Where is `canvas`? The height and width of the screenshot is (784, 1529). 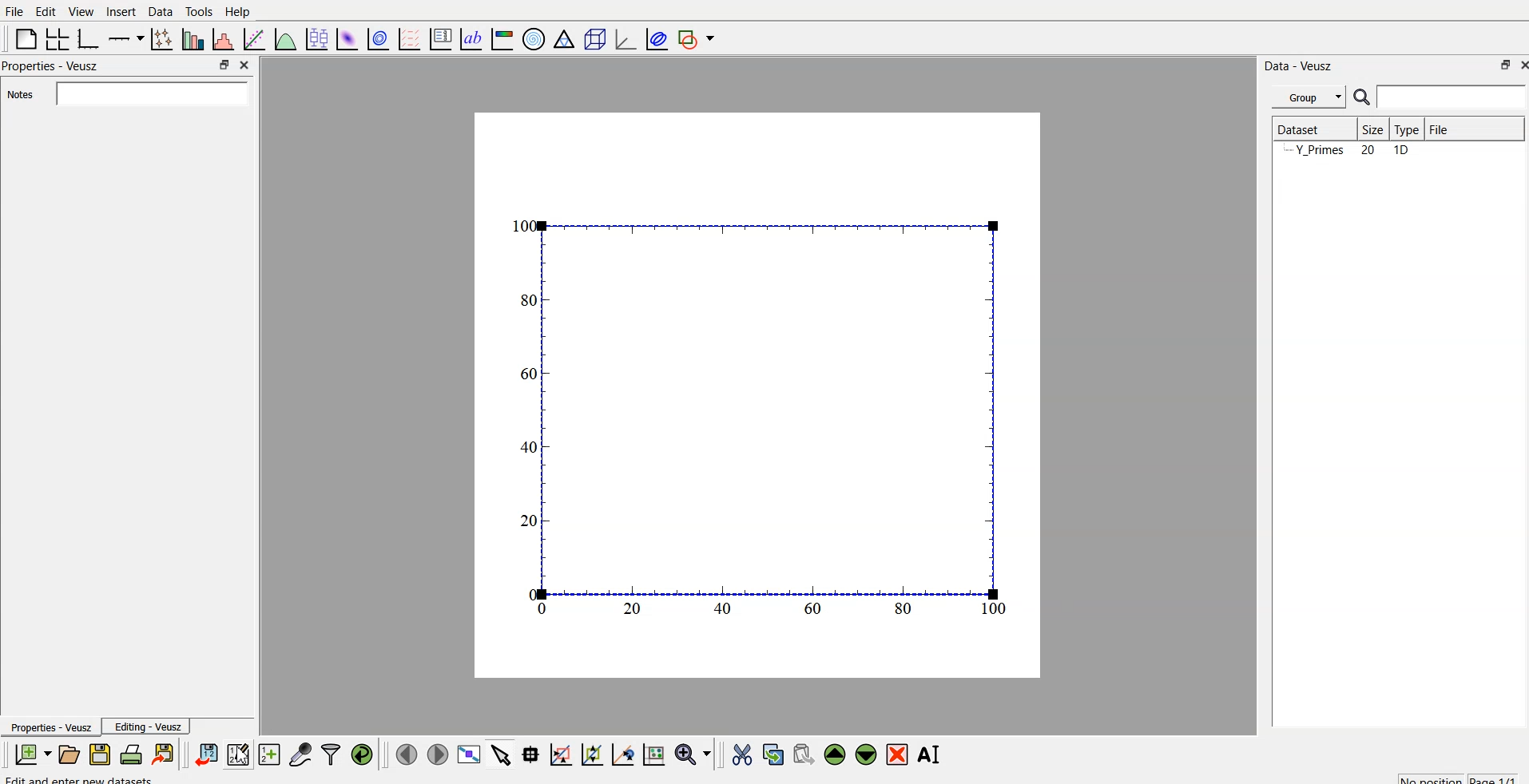 canvas is located at coordinates (757, 396).